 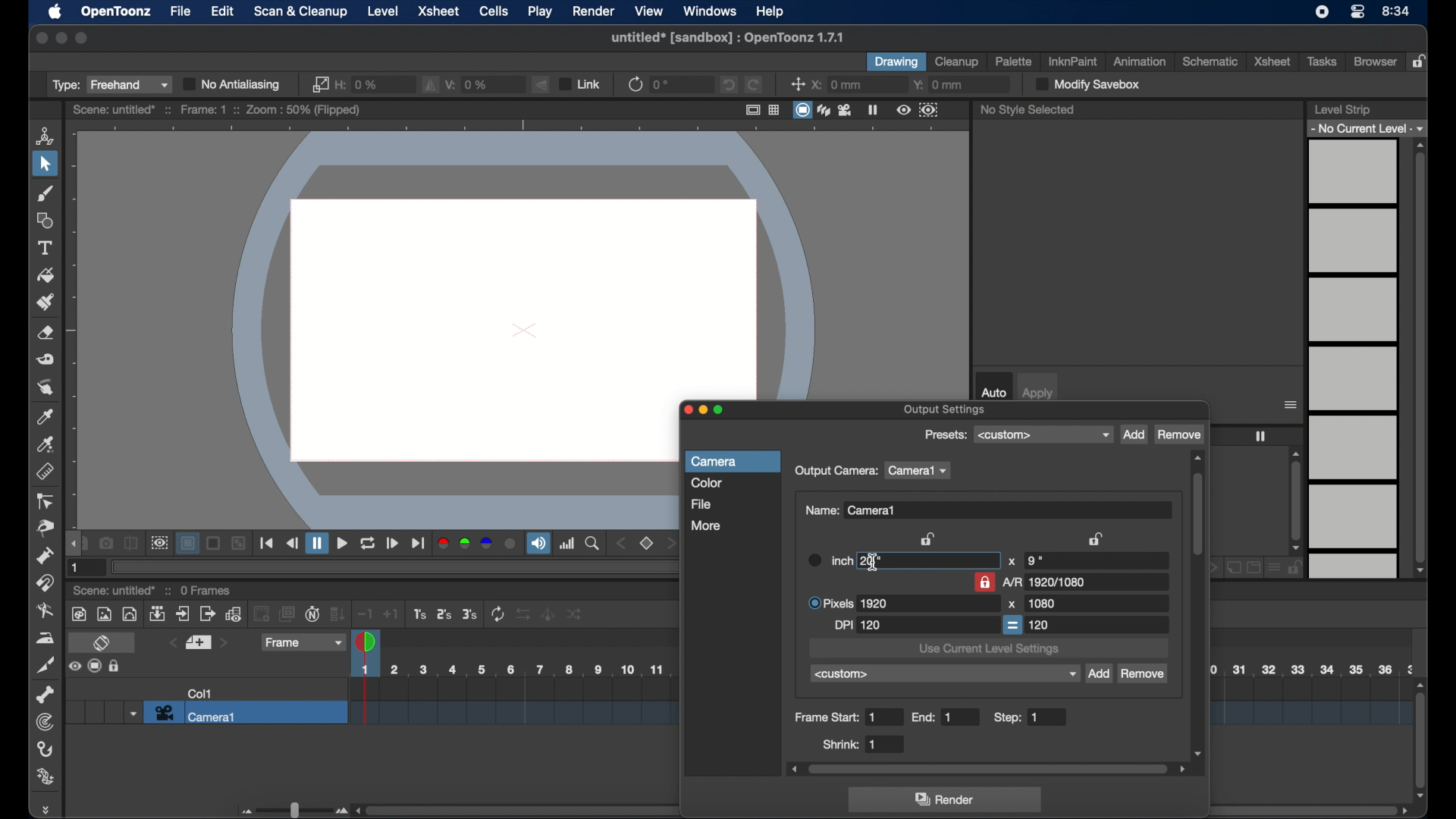 What do you see at coordinates (764, 109) in the screenshot?
I see `guide options` at bounding box center [764, 109].